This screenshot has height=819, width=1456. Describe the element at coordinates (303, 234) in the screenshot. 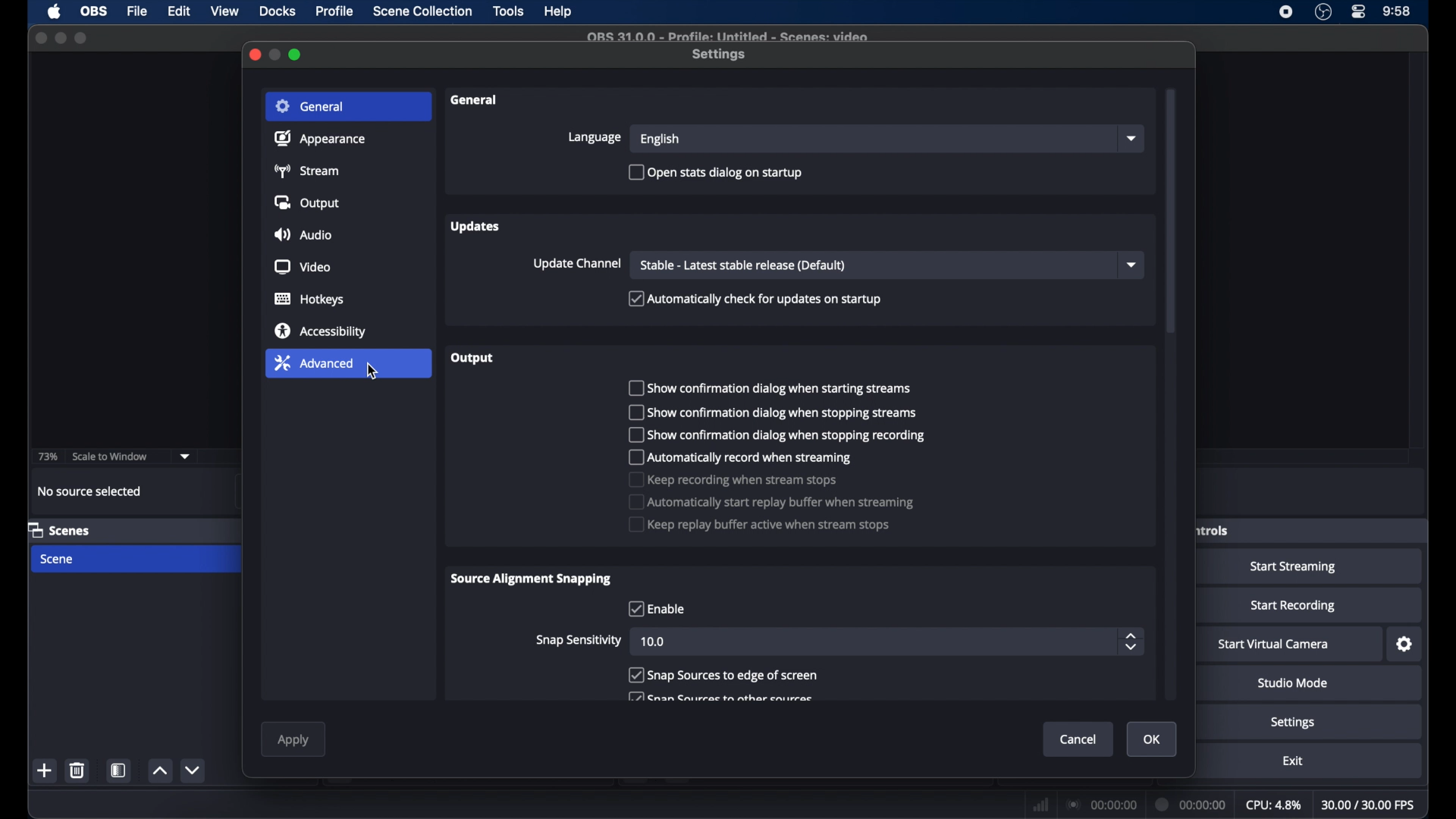

I see `audio` at that location.